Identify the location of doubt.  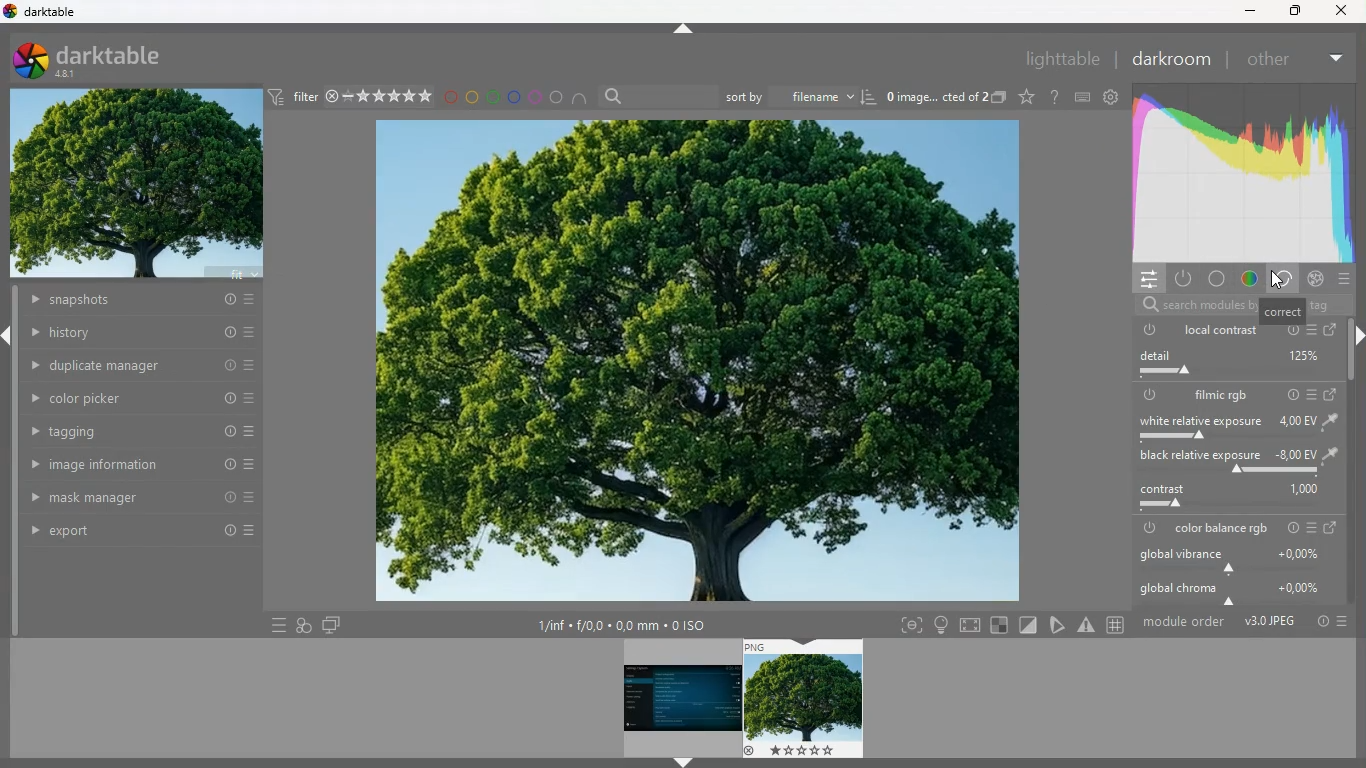
(1052, 96).